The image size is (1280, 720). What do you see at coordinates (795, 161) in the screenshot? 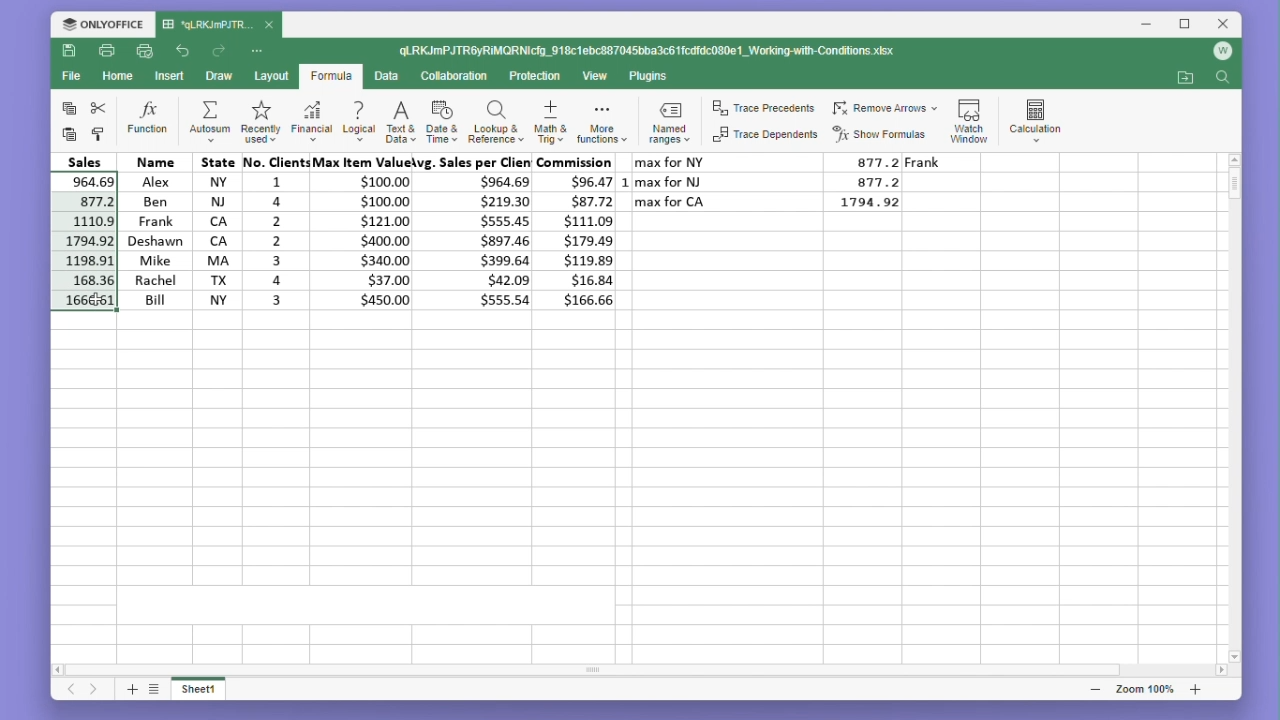
I see `max for NY 877.2 Frank` at bounding box center [795, 161].